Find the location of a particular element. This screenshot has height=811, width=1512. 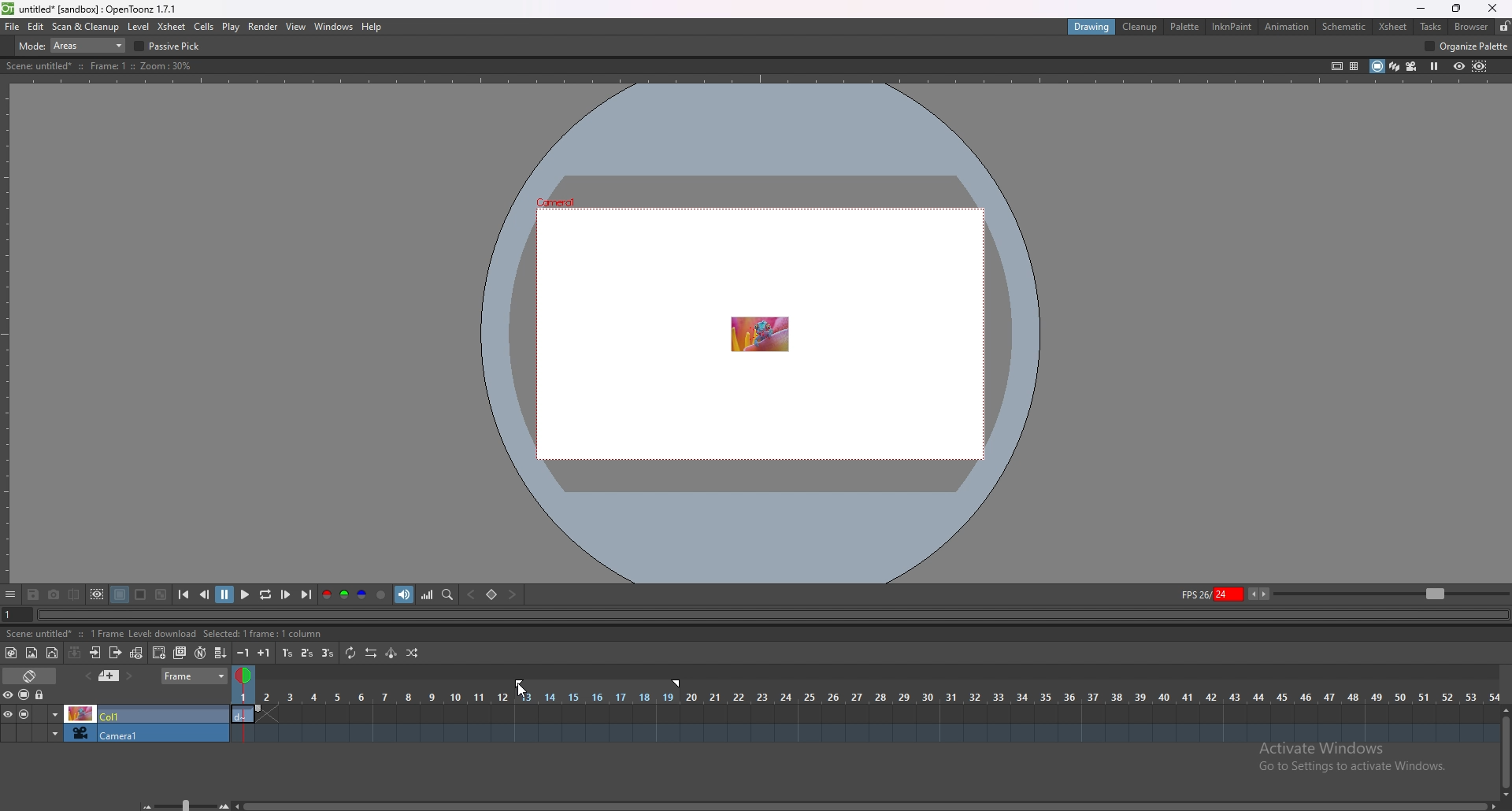

preview is located at coordinates (1459, 66).